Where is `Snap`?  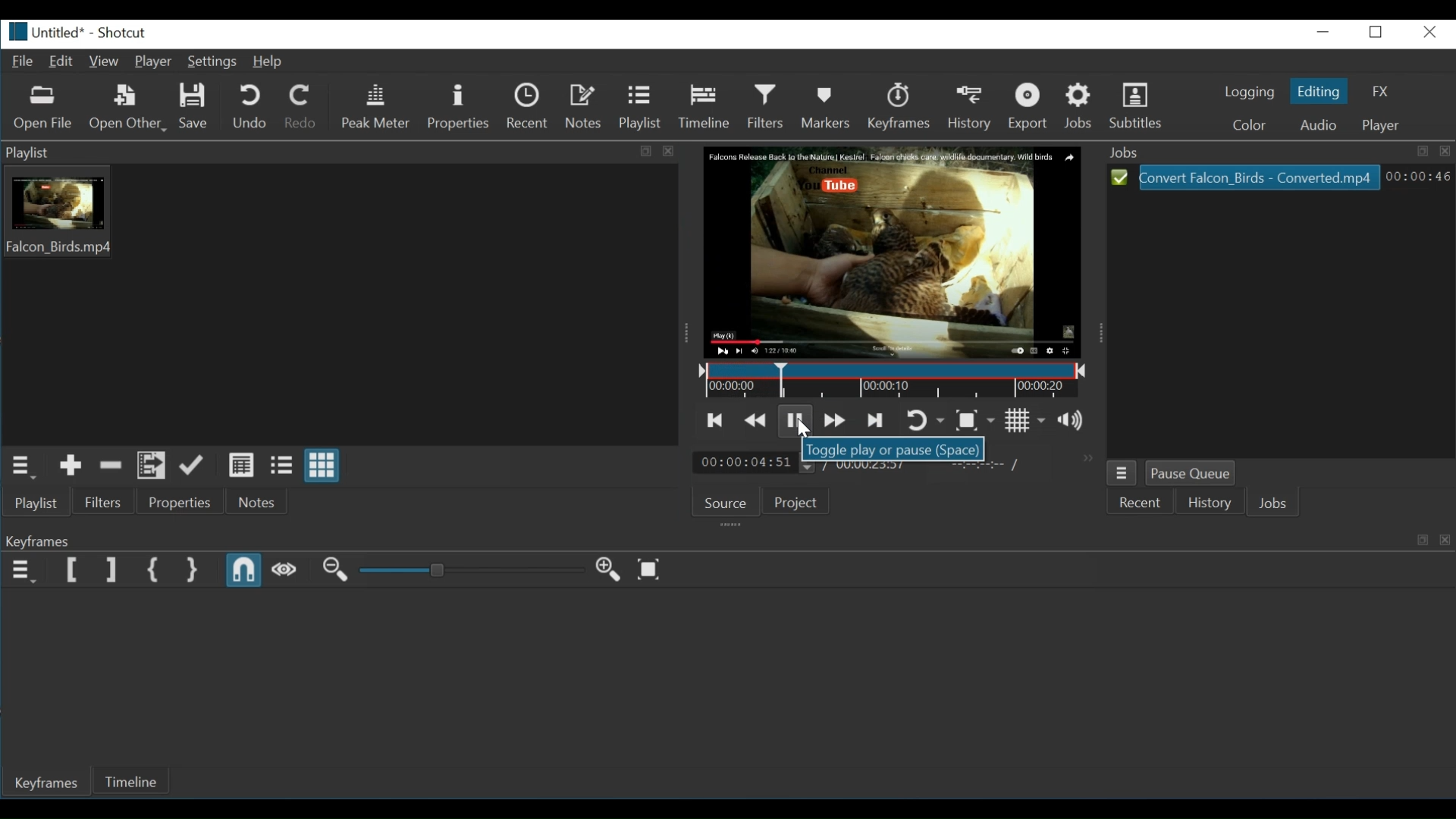 Snap is located at coordinates (243, 571).